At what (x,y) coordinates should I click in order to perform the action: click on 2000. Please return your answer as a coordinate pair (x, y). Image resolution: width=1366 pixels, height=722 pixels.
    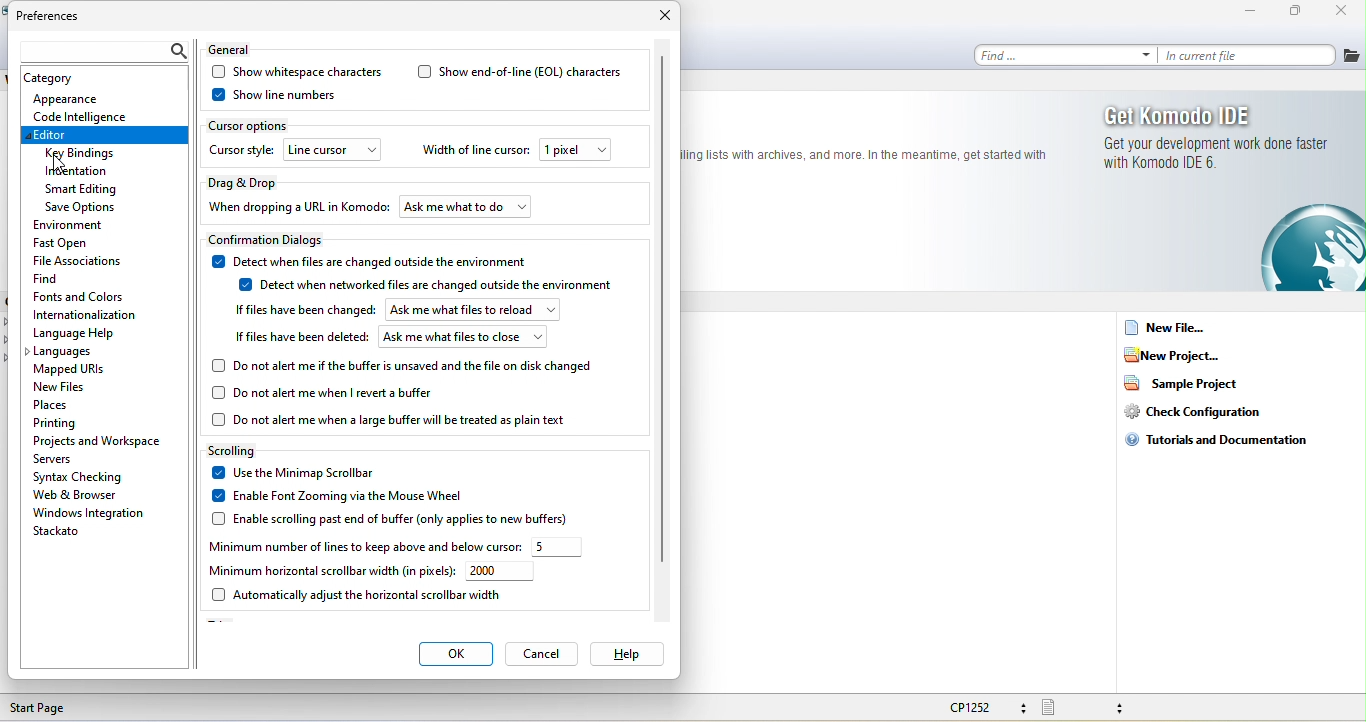
    Looking at the image, I should click on (502, 572).